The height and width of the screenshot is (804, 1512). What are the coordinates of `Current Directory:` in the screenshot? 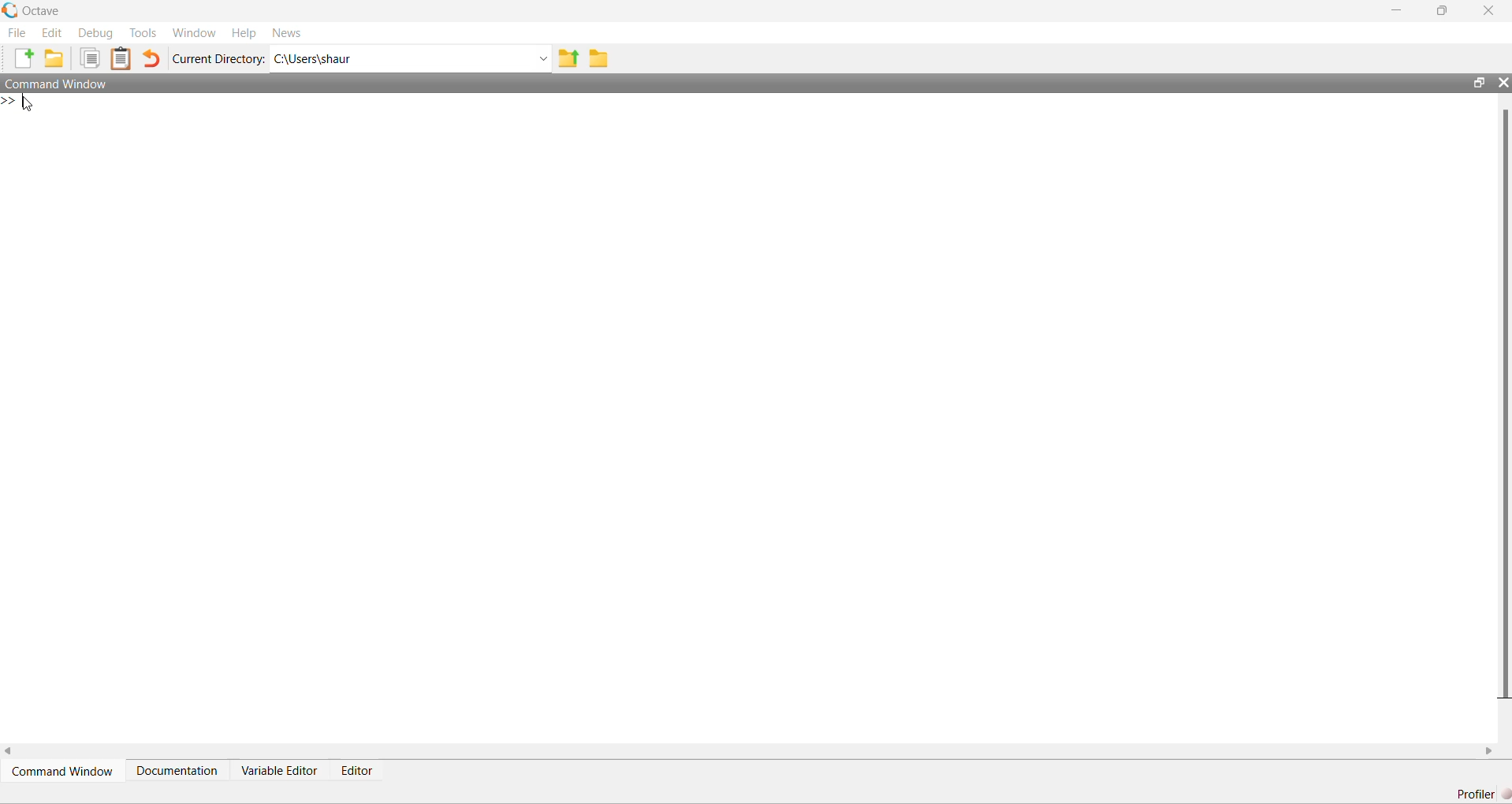 It's located at (218, 59).